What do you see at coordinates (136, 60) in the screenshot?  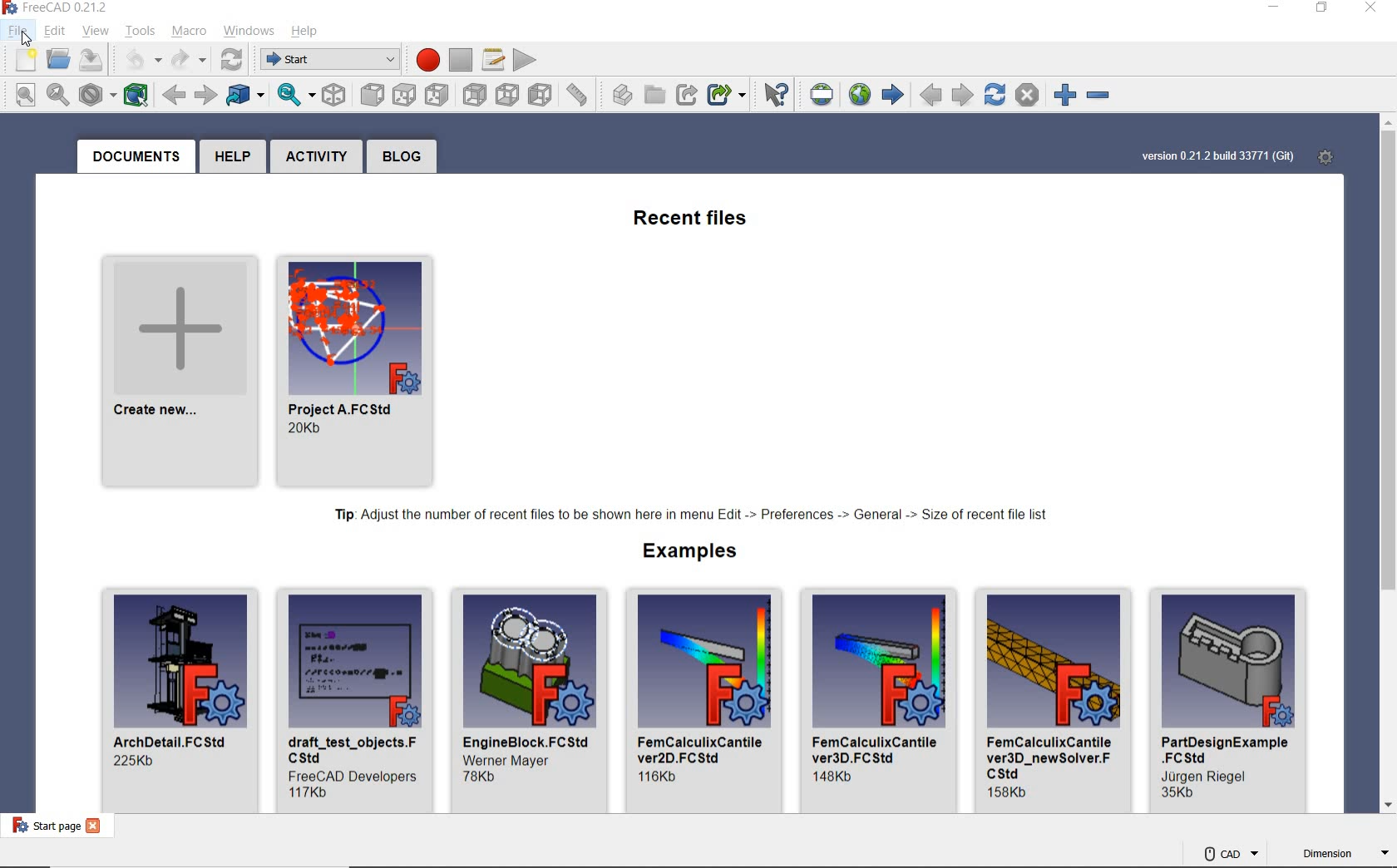 I see `UNDO` at bounding box center [136, 60].